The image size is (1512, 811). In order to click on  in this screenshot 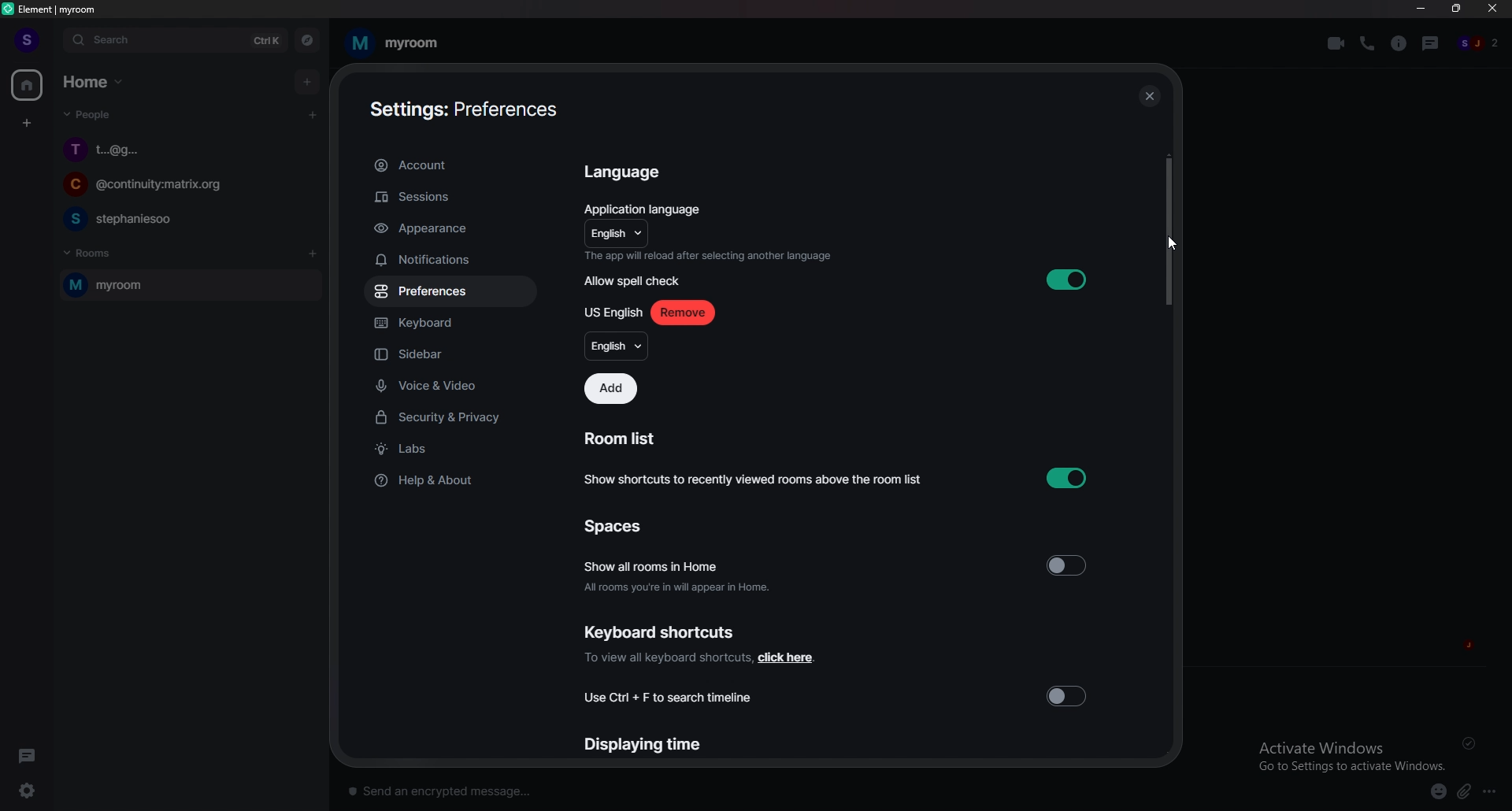, I will do `click(1149, 95)`.